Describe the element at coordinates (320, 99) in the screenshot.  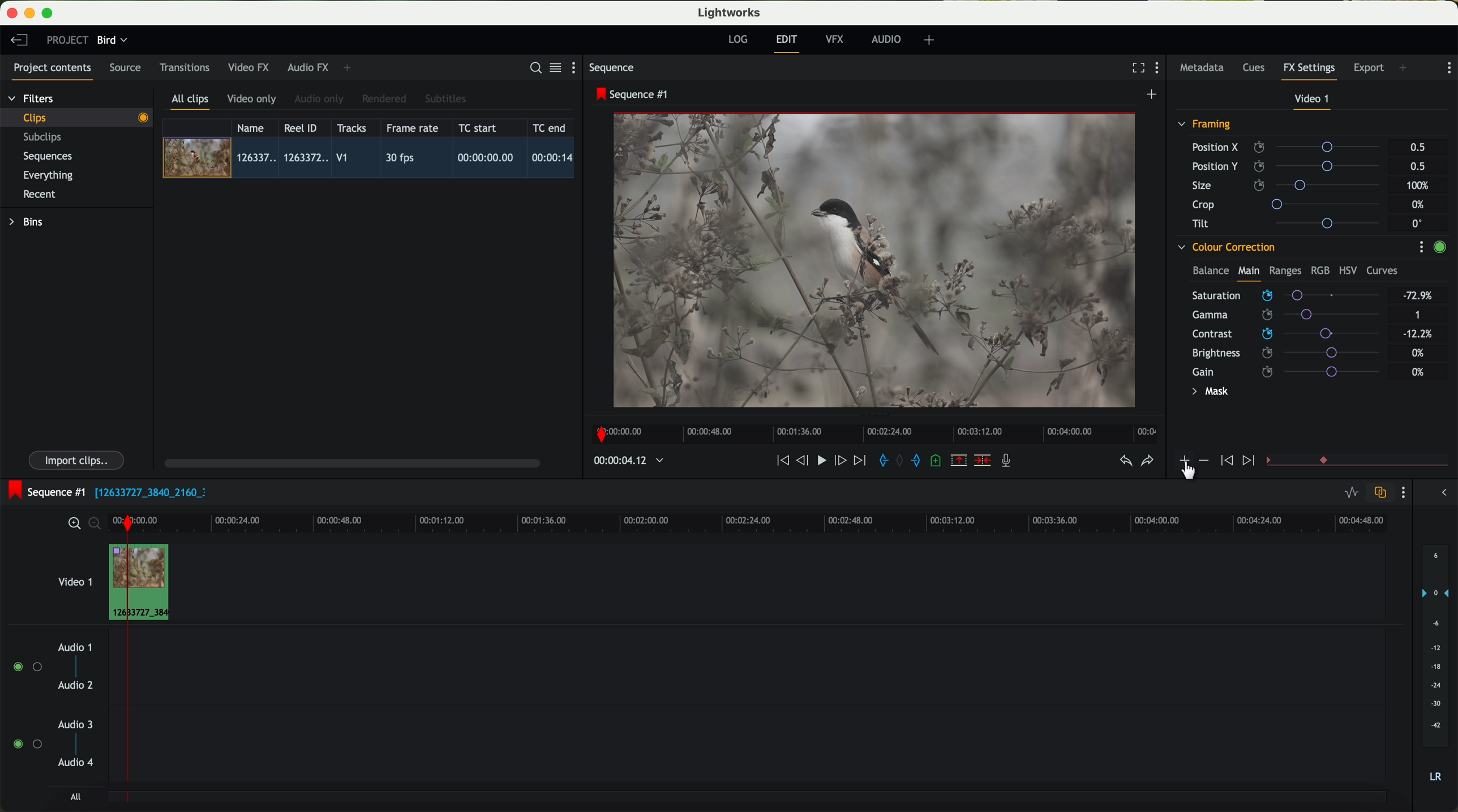
I see `audio only` at that location.